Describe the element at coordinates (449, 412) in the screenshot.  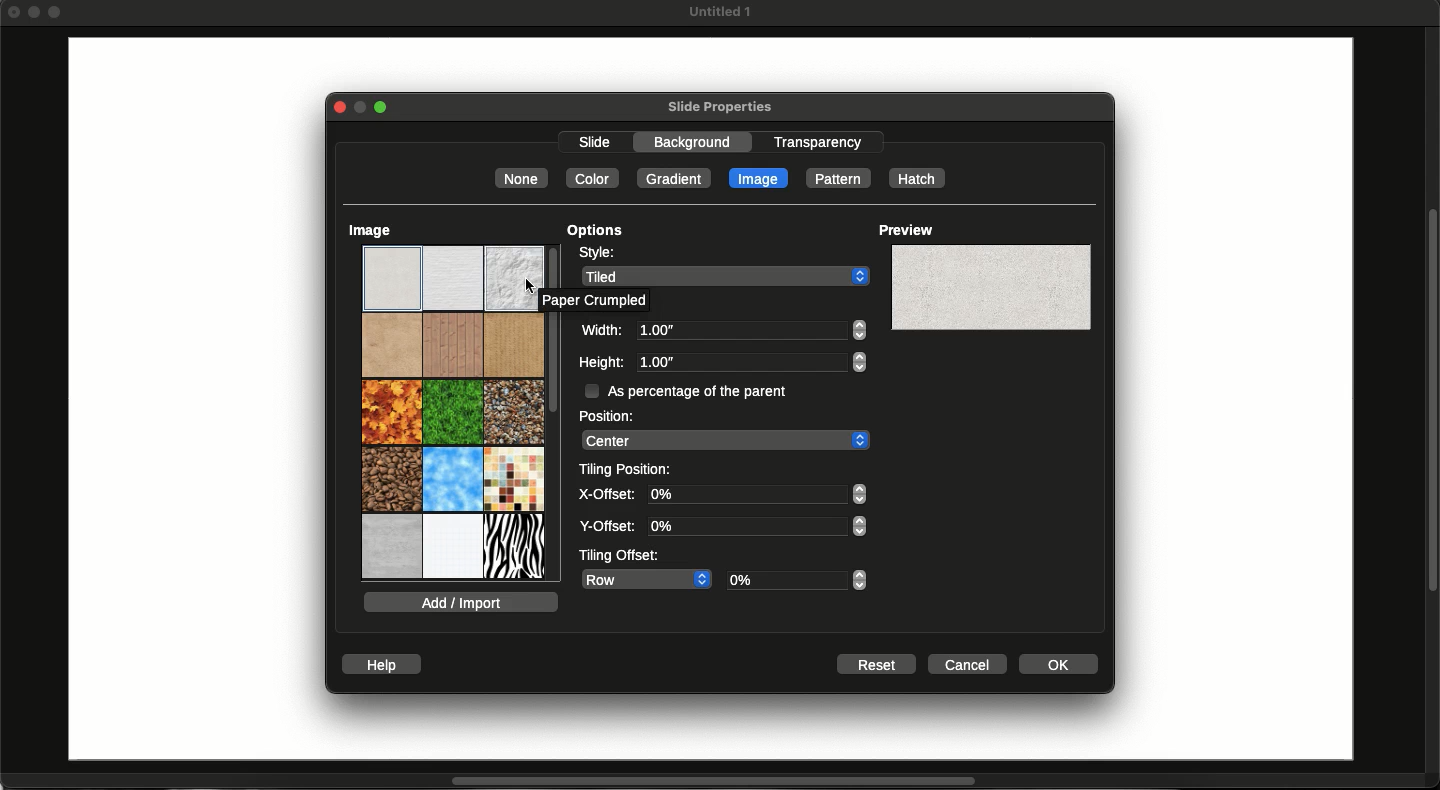
I see `Images` at that location.